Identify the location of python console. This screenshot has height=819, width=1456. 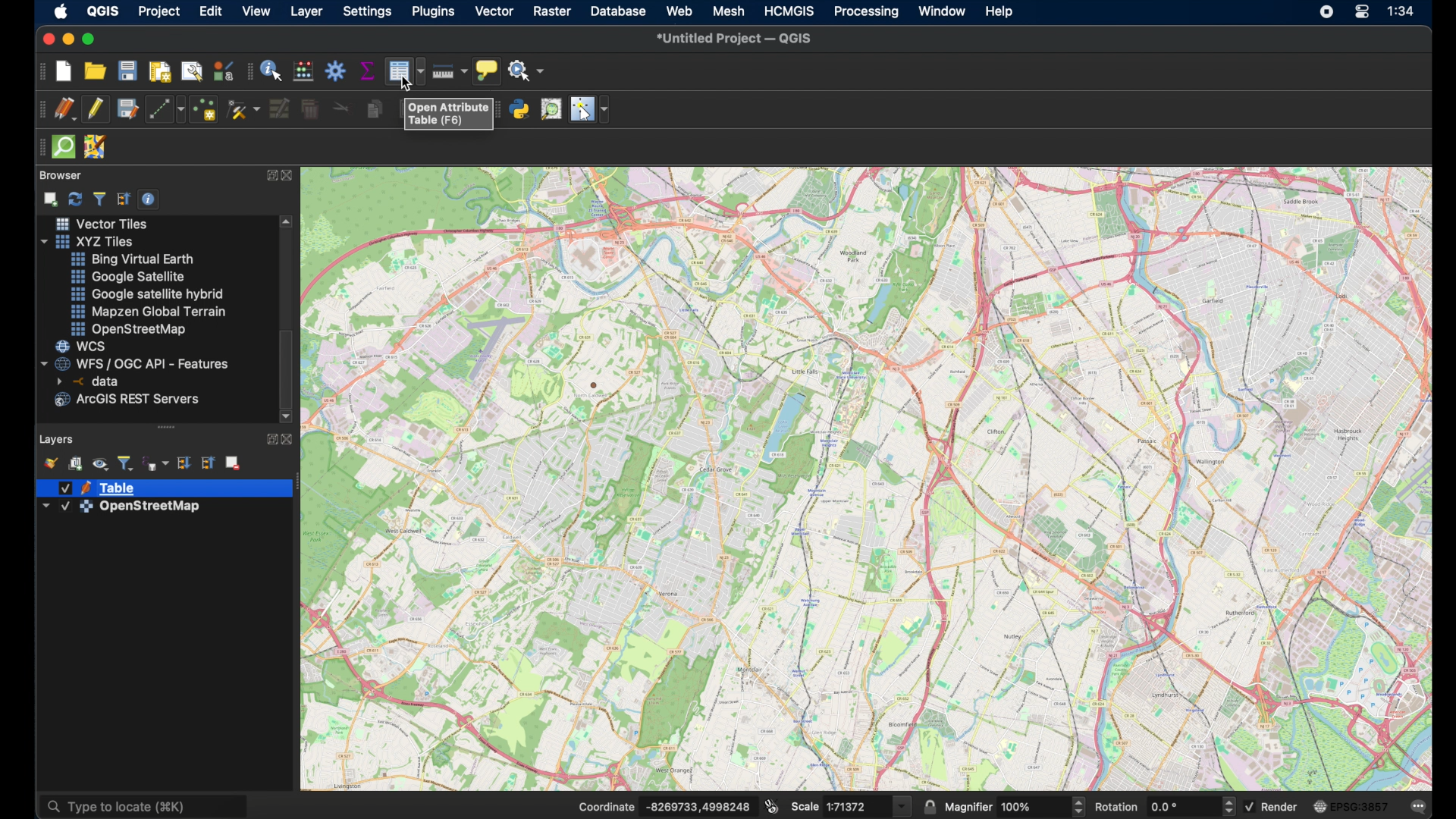
(519, 111).